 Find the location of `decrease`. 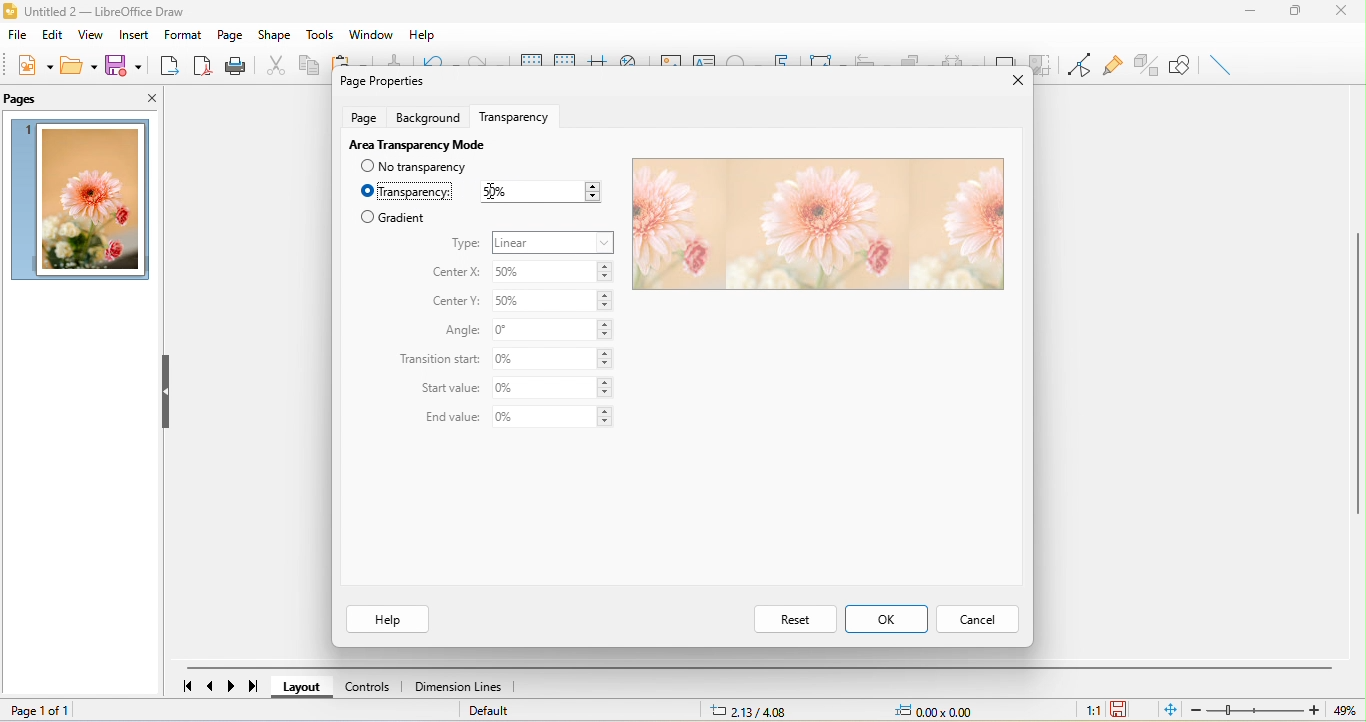

decrease is located at coordinates (591, 198).